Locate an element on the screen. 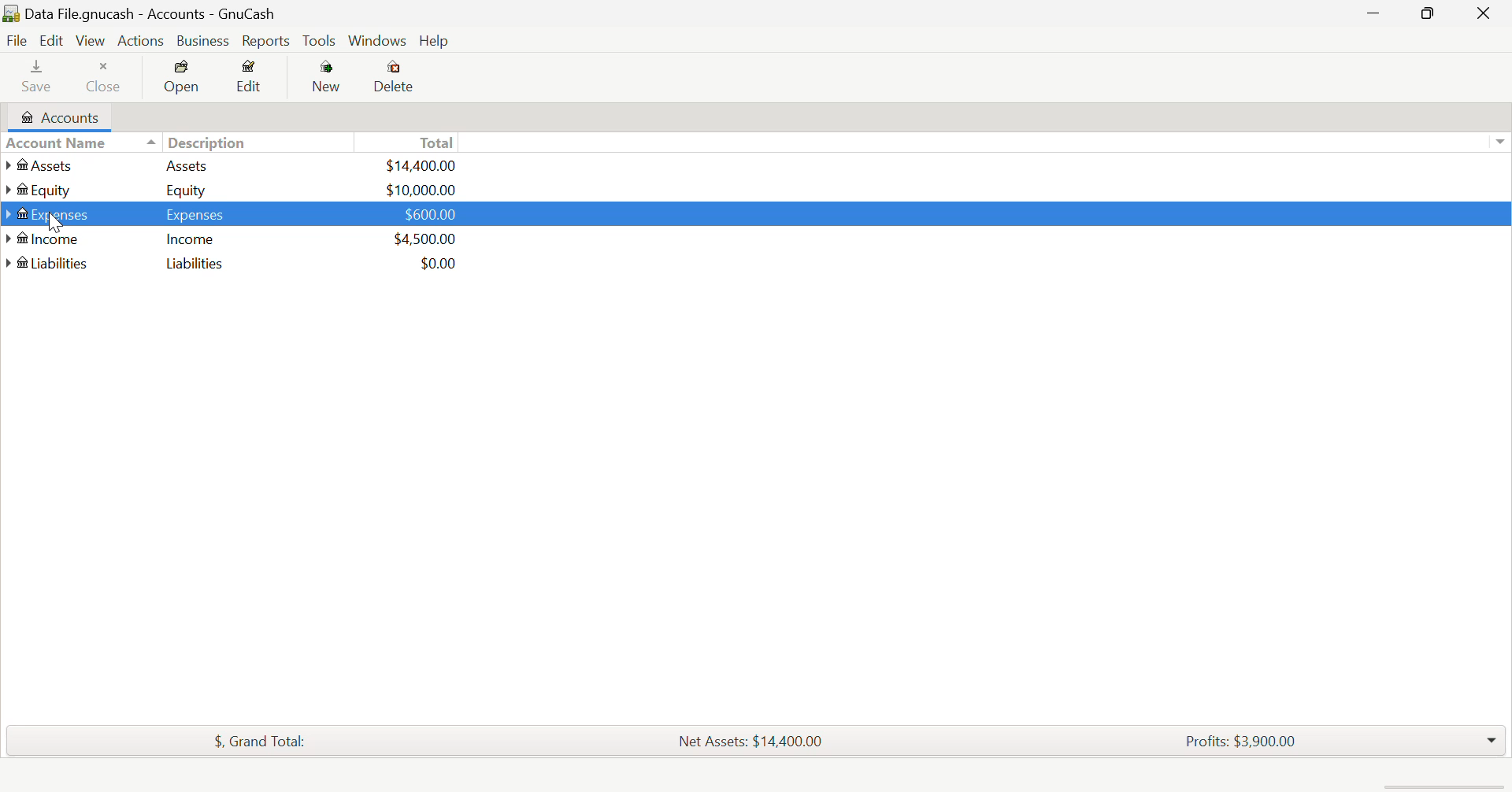  Assets is located at coordinates (188, 167).